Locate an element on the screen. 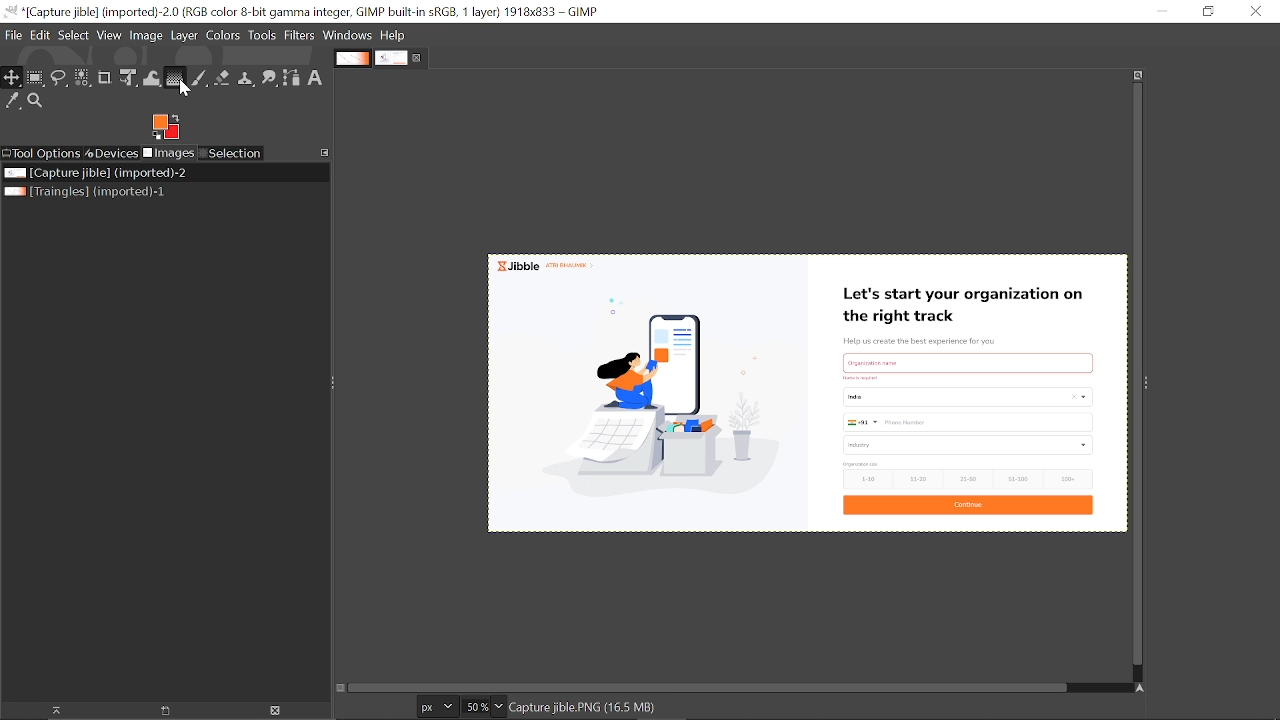  Toggle quick mask on/off is located at coordinates (341, 689).